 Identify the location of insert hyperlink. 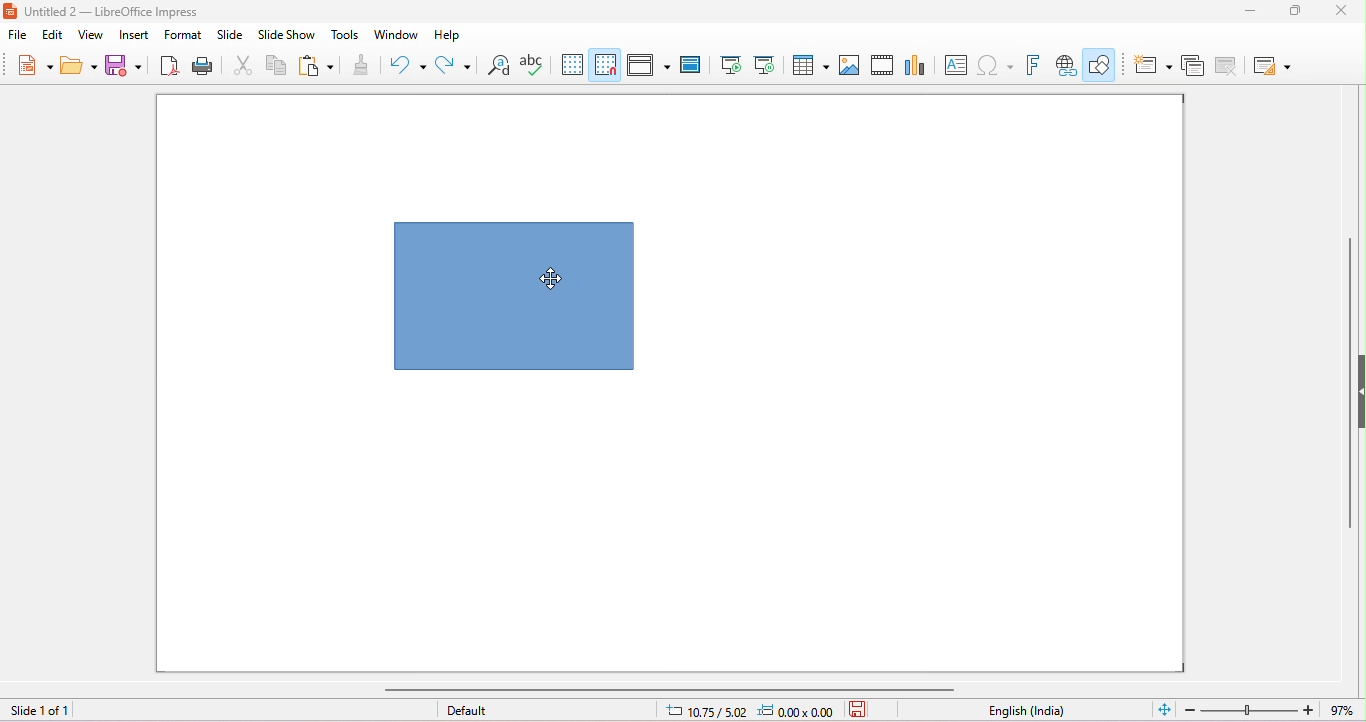
(1067, 65).